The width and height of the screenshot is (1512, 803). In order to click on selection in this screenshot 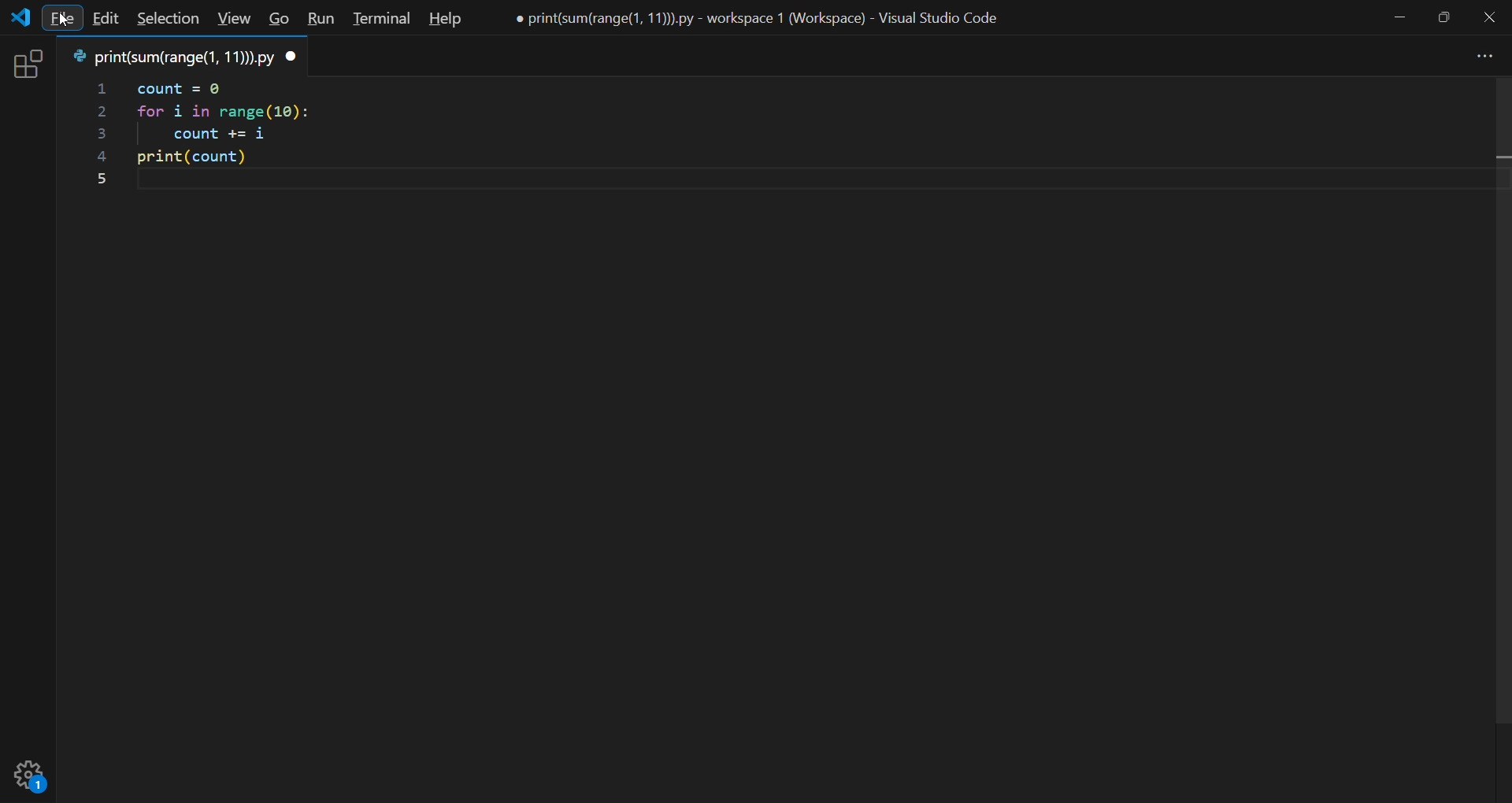, I will do `click(166, 20)`.